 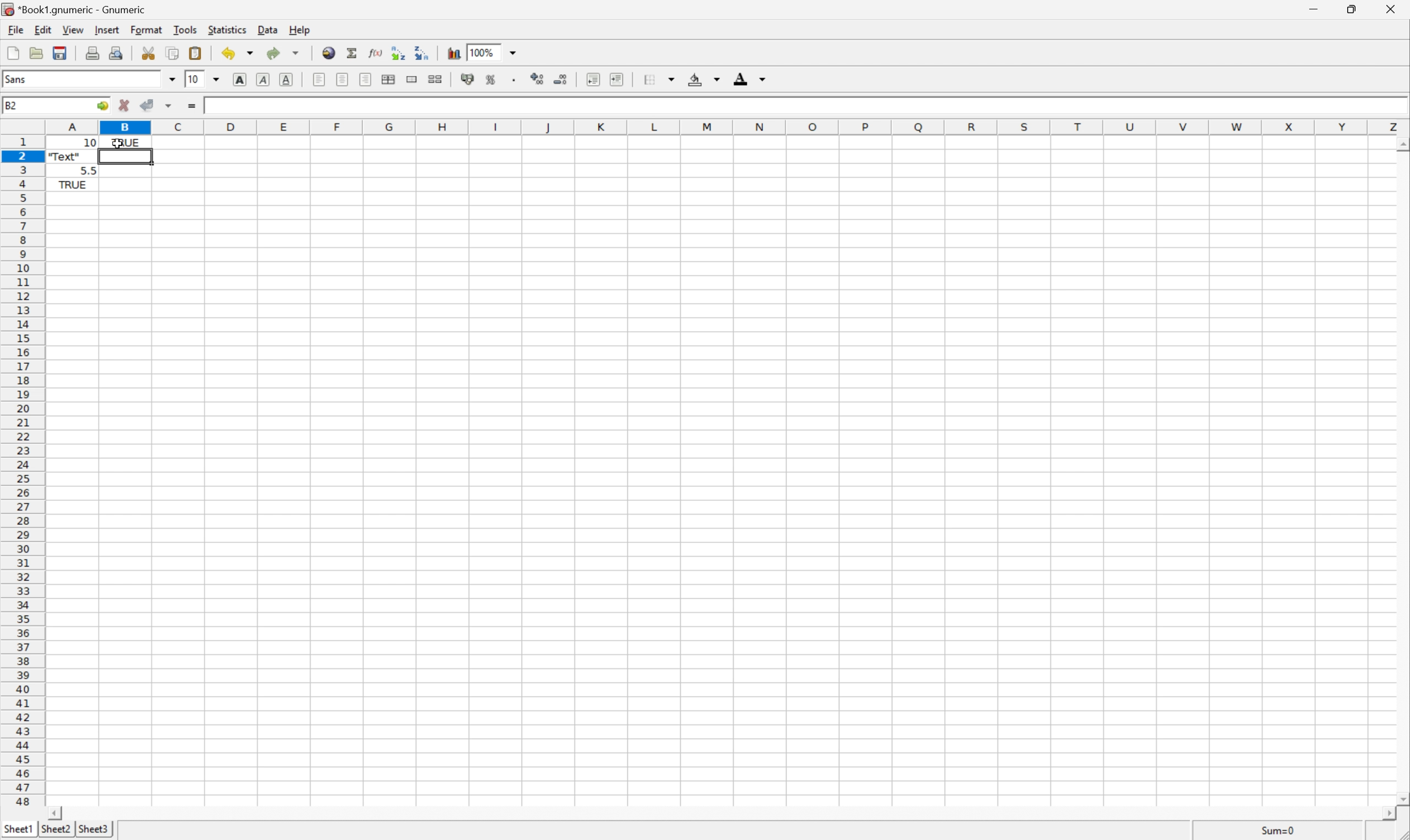 What do you see at coordinates (148, 53) in the screenshot?
I see `Cut clipboard` at bounding box center [148, 53].